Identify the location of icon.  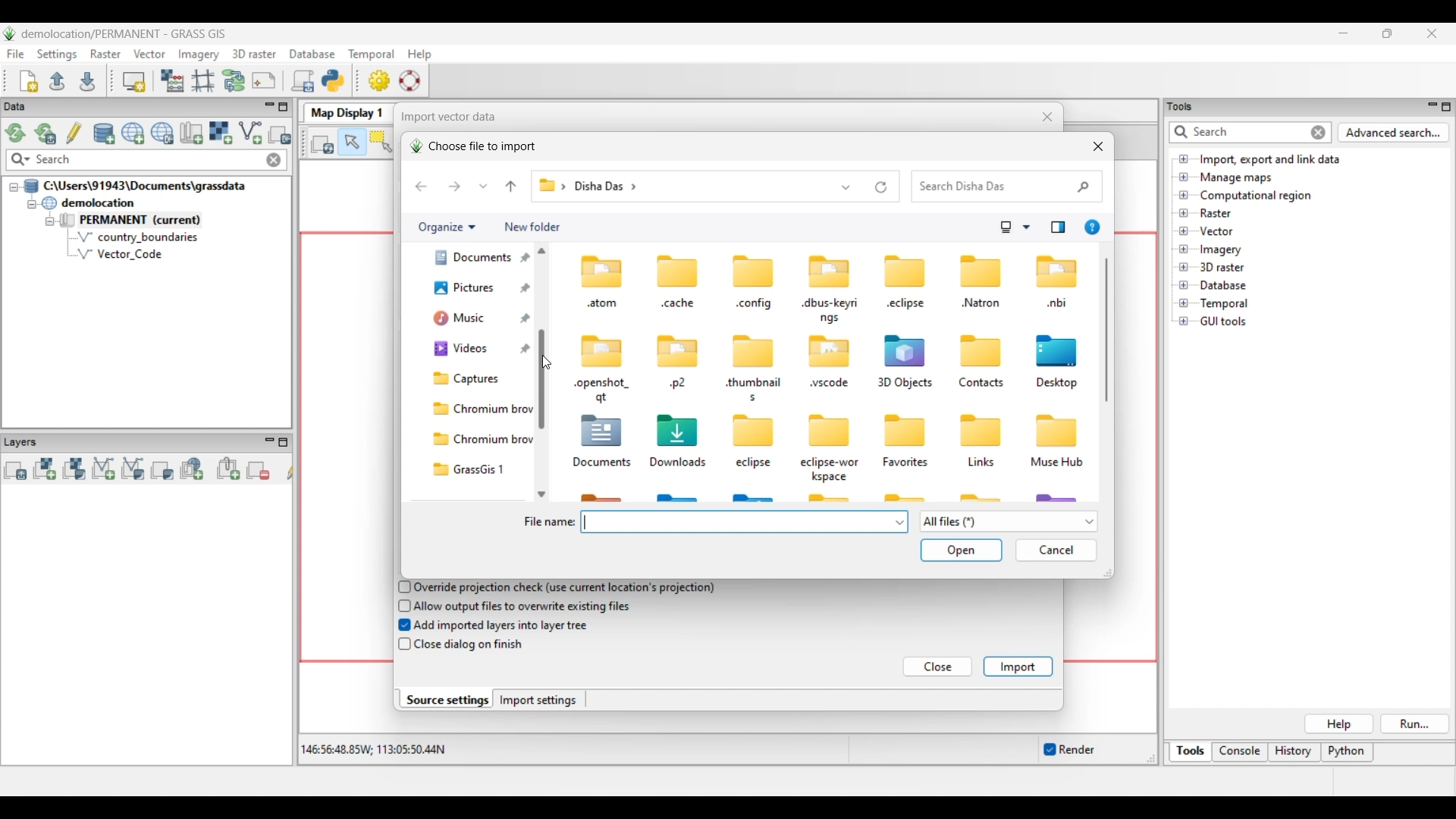
(751, 352).